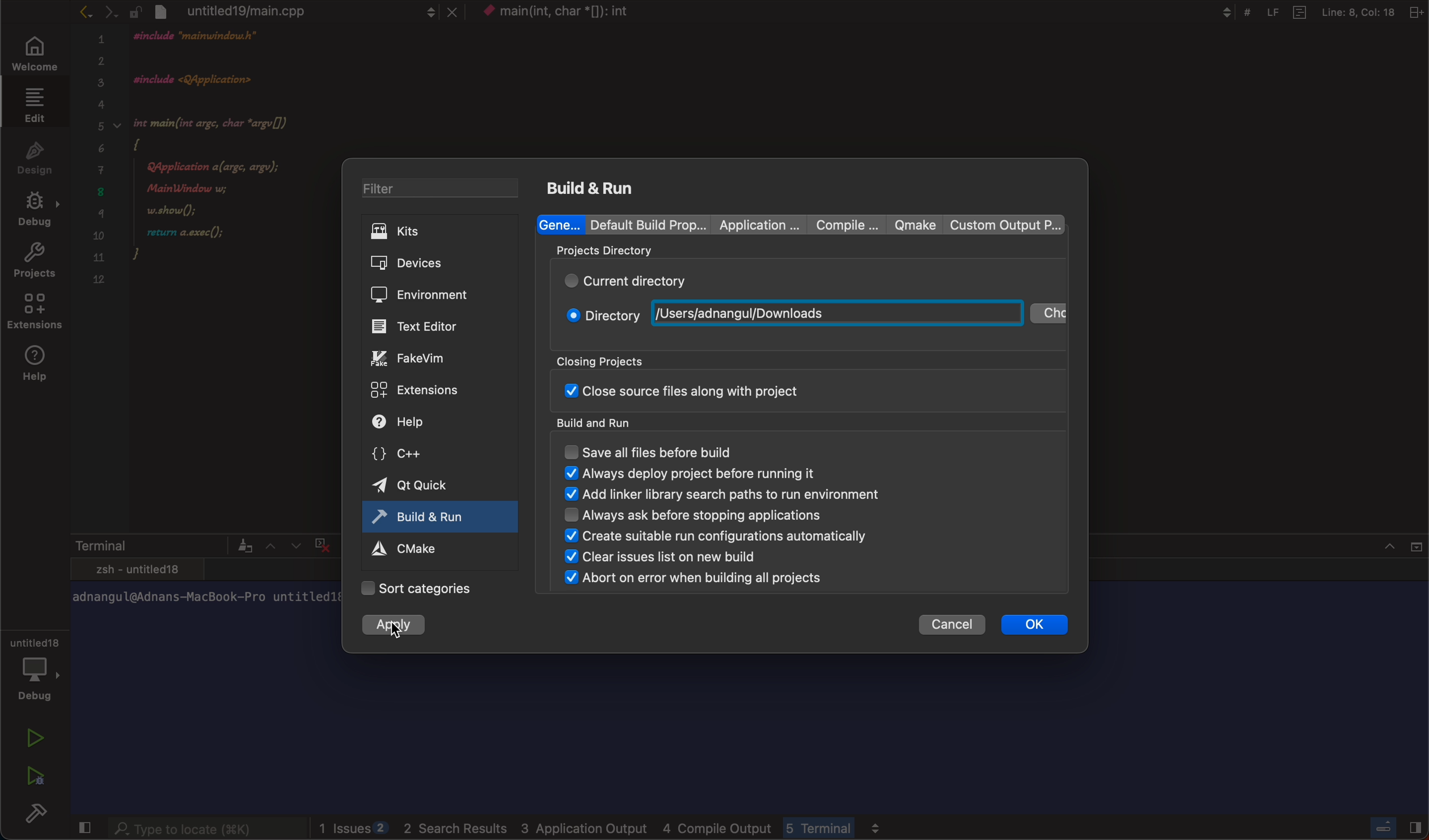  What do you see at coordinates (437, 588) in the screenshot?
I see `categories` at bounding box center [437, 588].